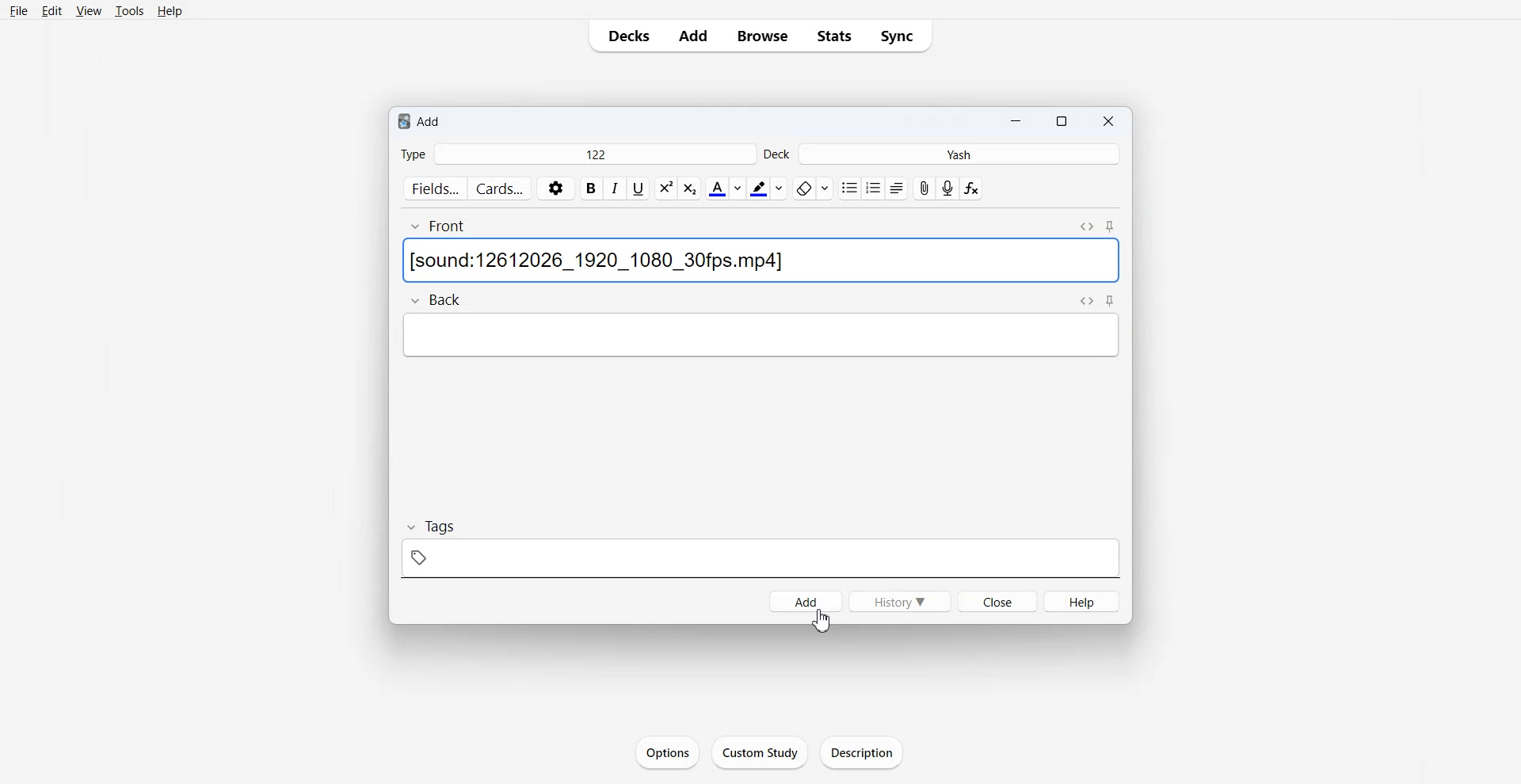  Describe the element at coordinates (873, 188) in the screenshot. I see `ordered list` at that location.